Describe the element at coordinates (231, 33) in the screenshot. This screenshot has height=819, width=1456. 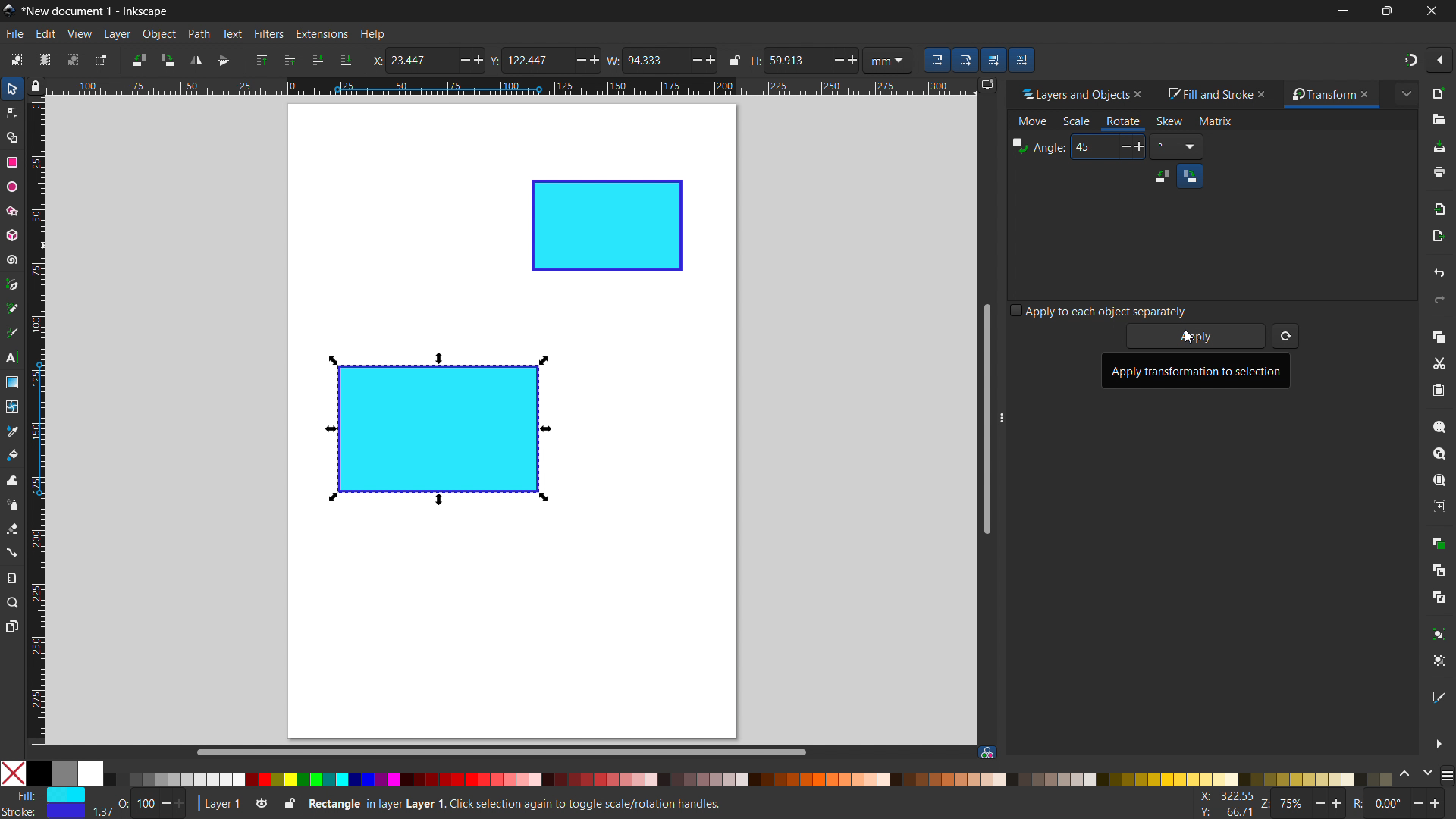
I see `text` at that location.